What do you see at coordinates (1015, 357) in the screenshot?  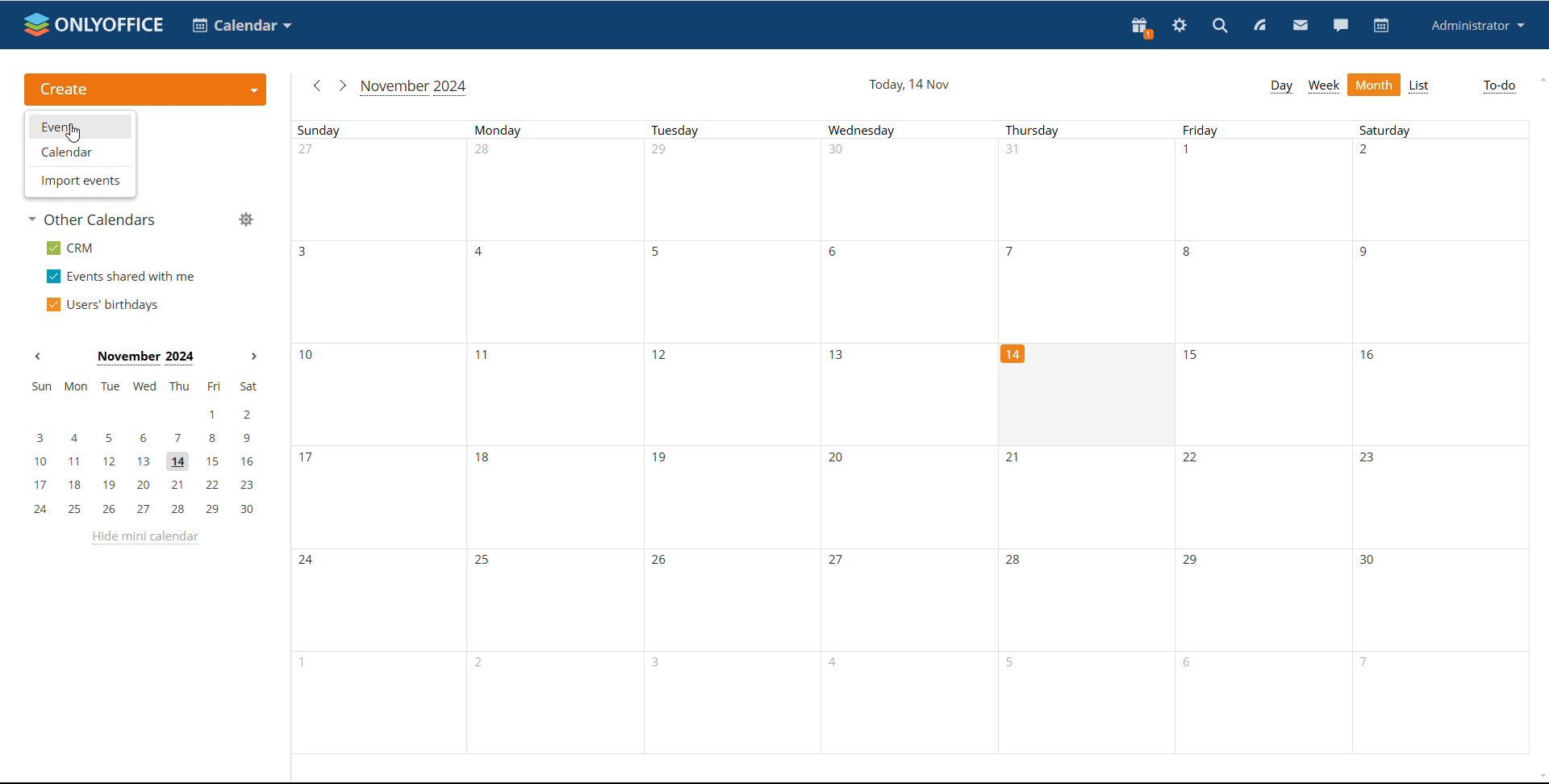 I see `14` at bounding box center [1015, 357].